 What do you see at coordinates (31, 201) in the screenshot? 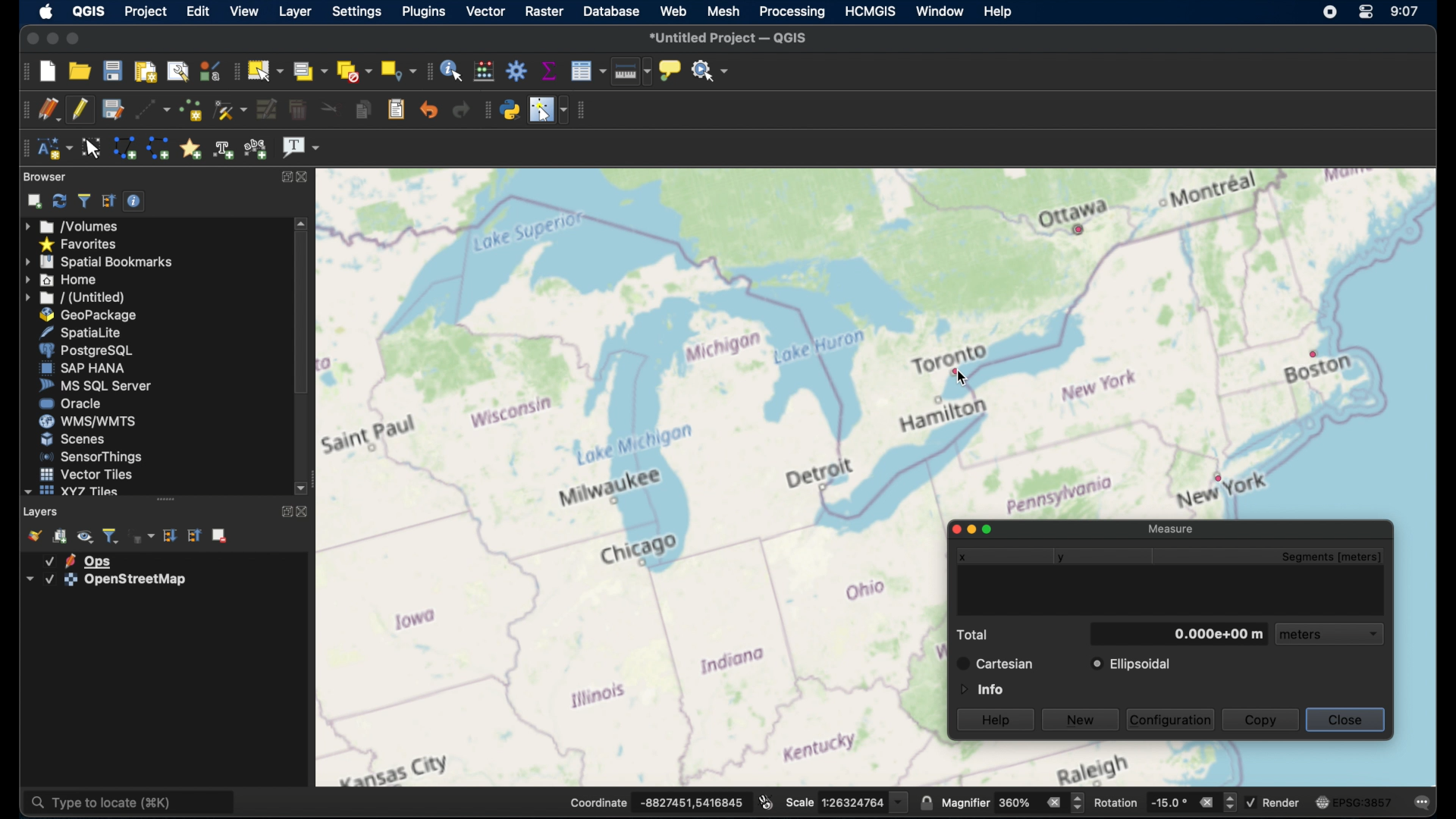
I see `add selected layers` at bounding box center [31, 201].